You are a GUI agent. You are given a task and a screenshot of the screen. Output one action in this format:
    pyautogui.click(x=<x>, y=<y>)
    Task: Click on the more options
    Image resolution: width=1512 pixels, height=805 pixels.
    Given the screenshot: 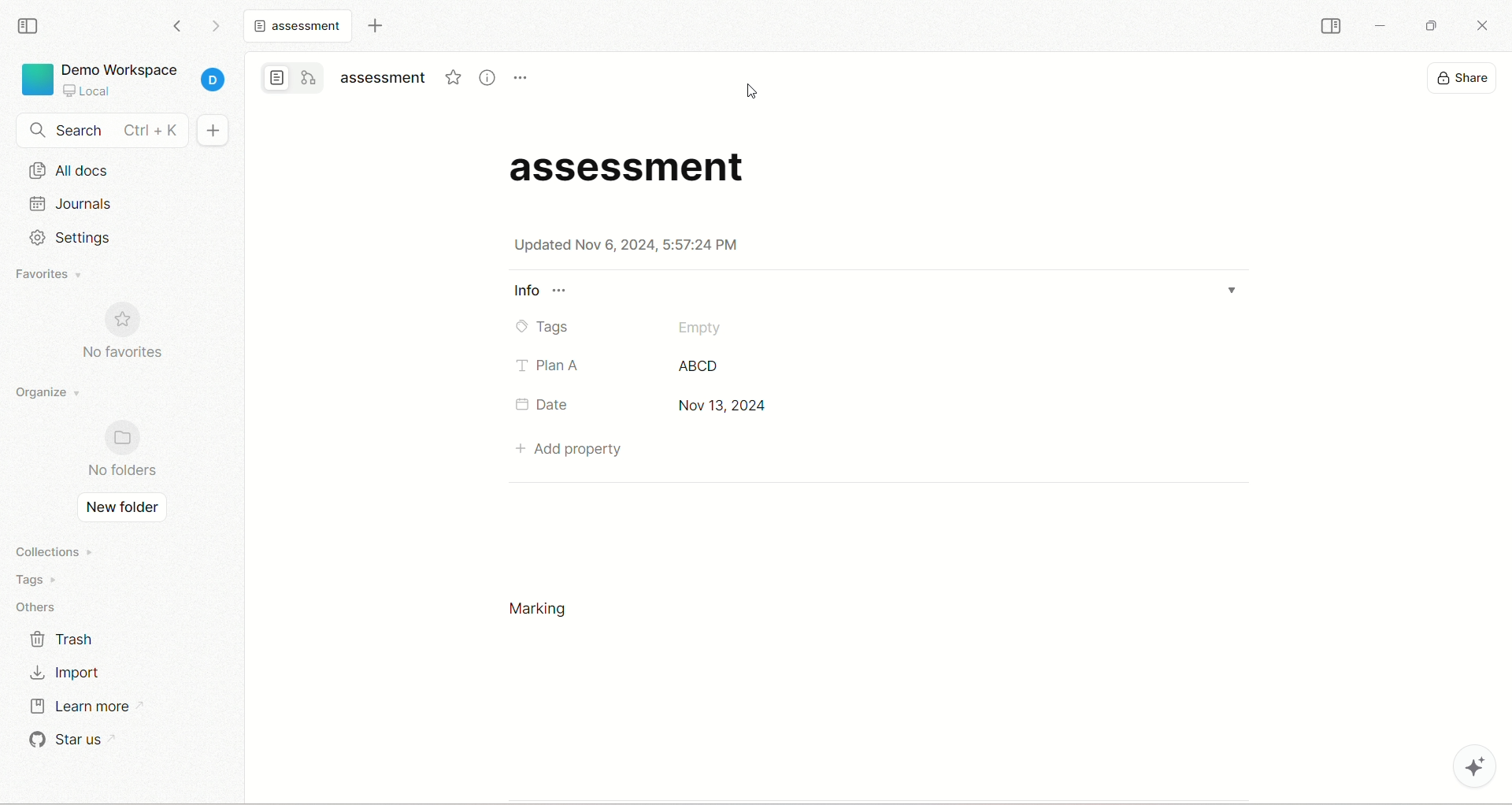 What is the action you would take?
    pyautogui.click(x=521, y=77)
    